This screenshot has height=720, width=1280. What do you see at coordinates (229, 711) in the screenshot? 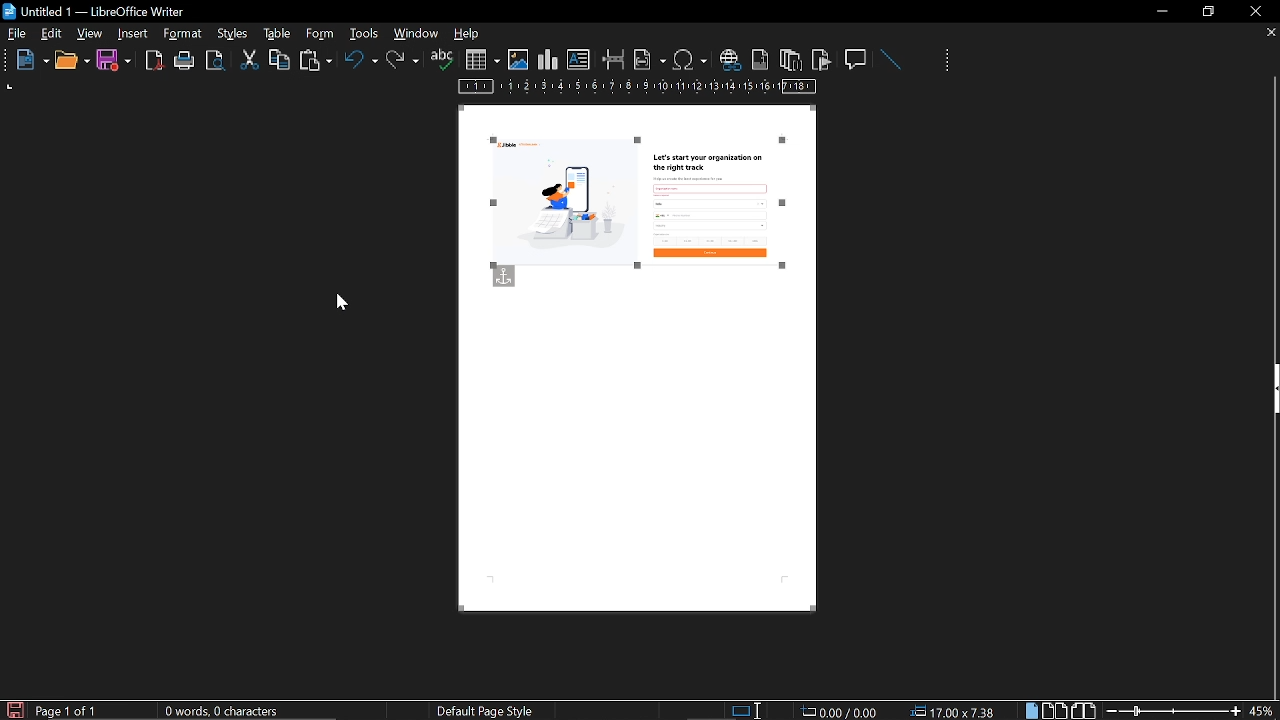
I see `word count` at bounding box center [229, 711].